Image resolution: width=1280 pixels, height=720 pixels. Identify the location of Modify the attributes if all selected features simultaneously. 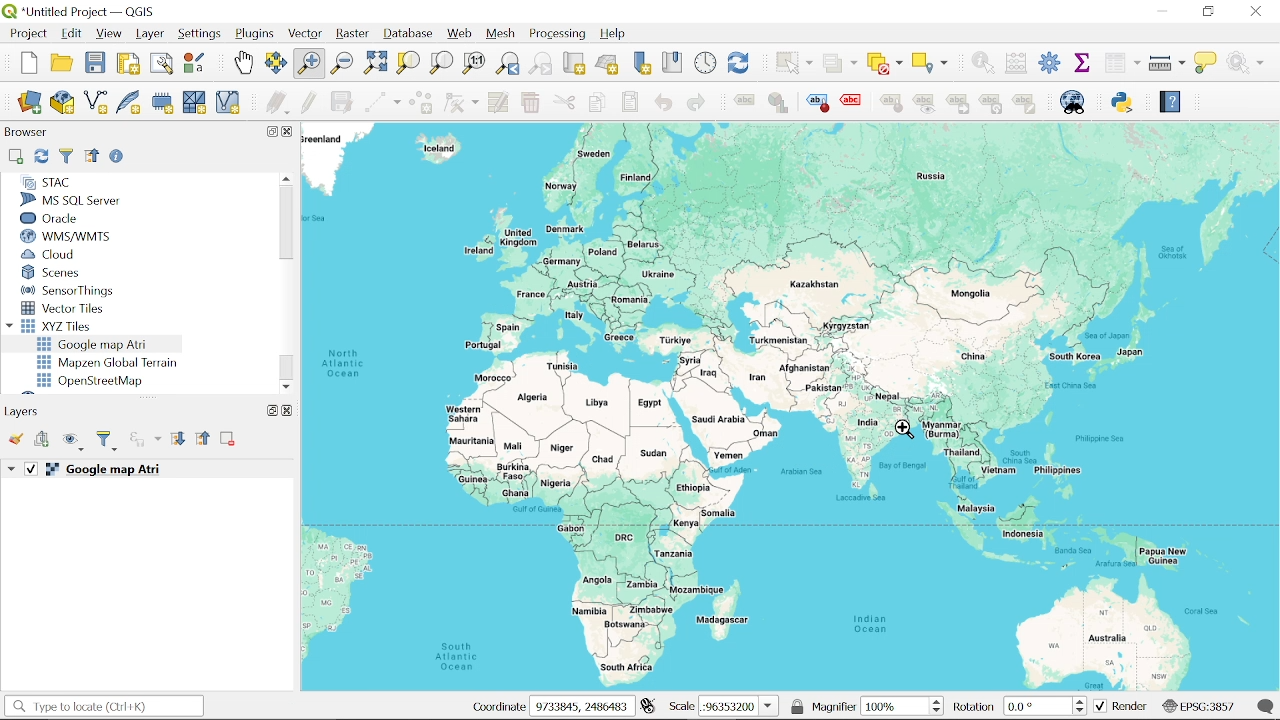
(499, 103).